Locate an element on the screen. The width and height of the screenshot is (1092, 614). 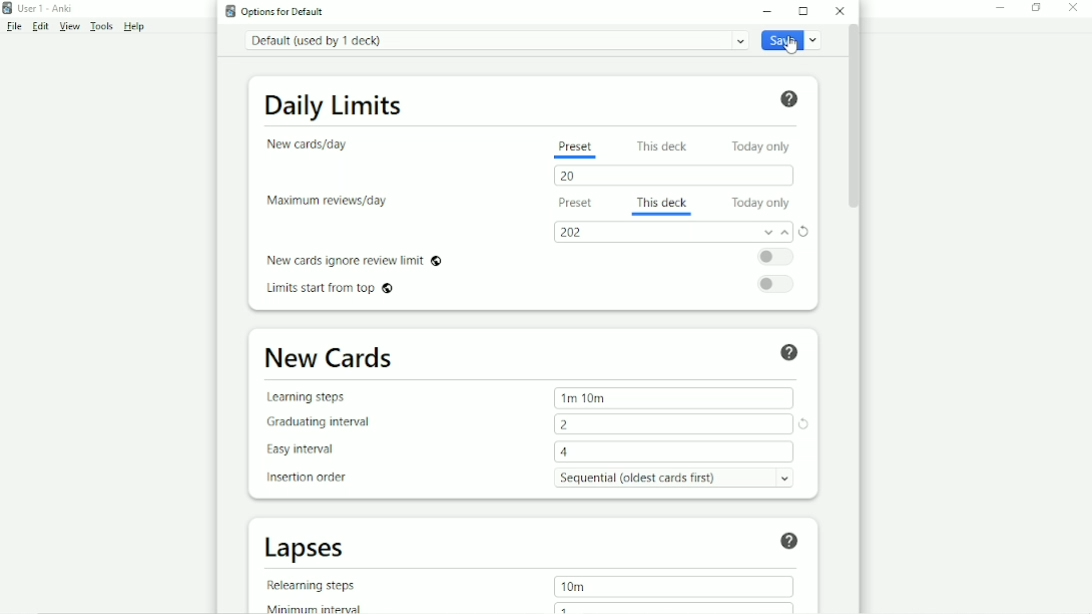
Help is located at coordinates (789, 98).